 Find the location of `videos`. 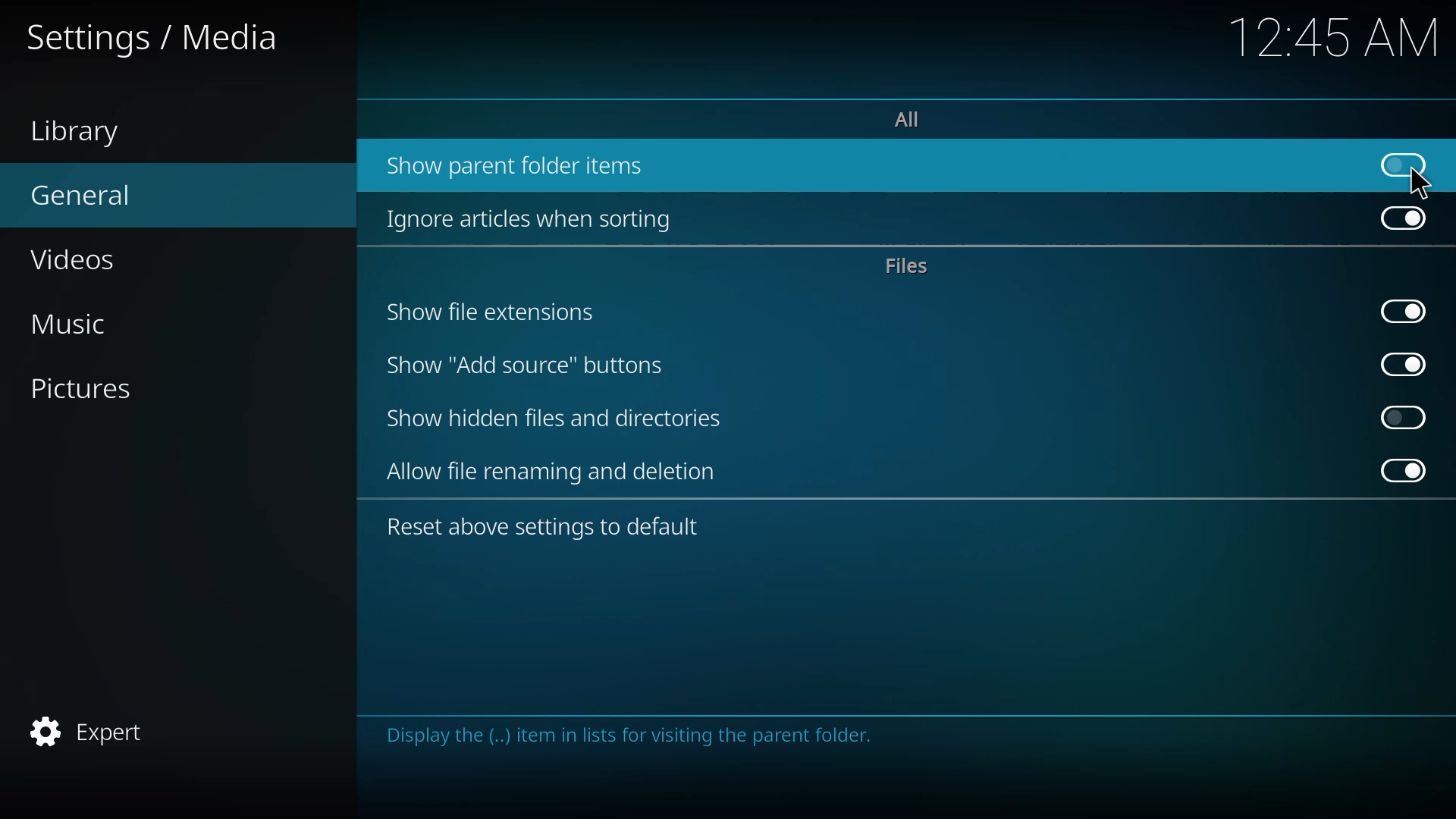

videos is located at coordinates (78, 258).